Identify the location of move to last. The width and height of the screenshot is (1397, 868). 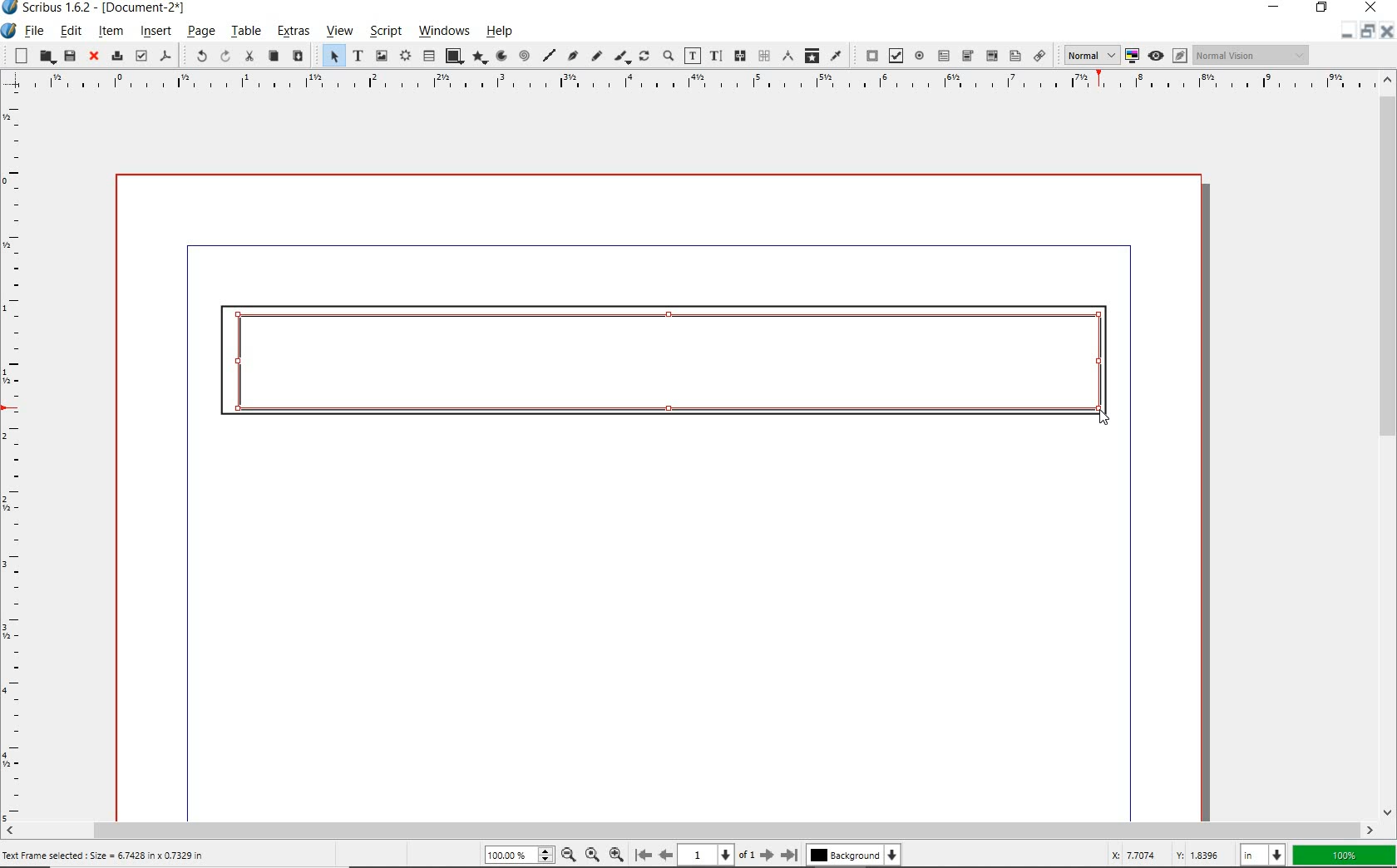
(792, 852).